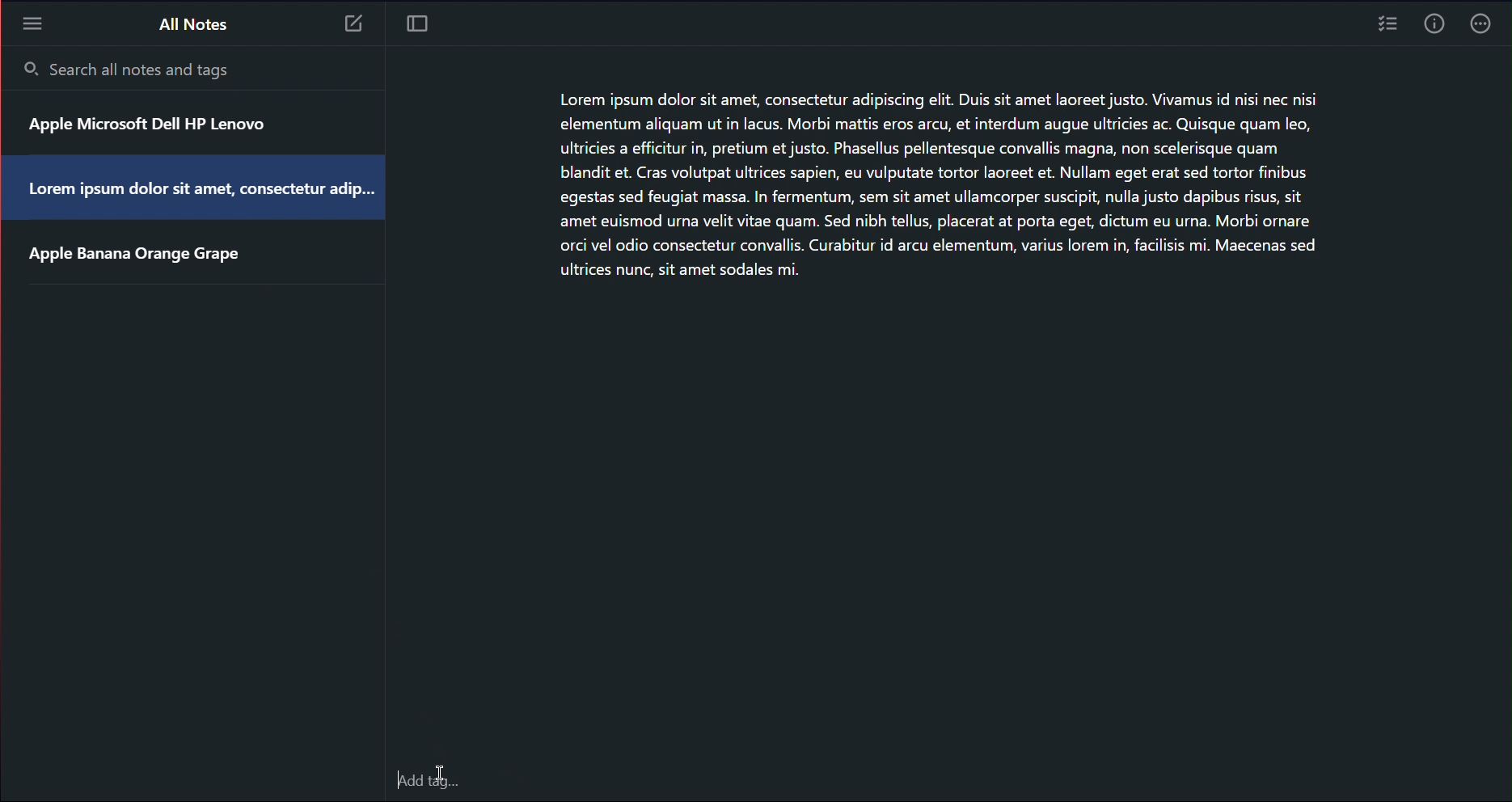 This screenshot has width=1512, height=802. I want to click on More, so click(32, 23).